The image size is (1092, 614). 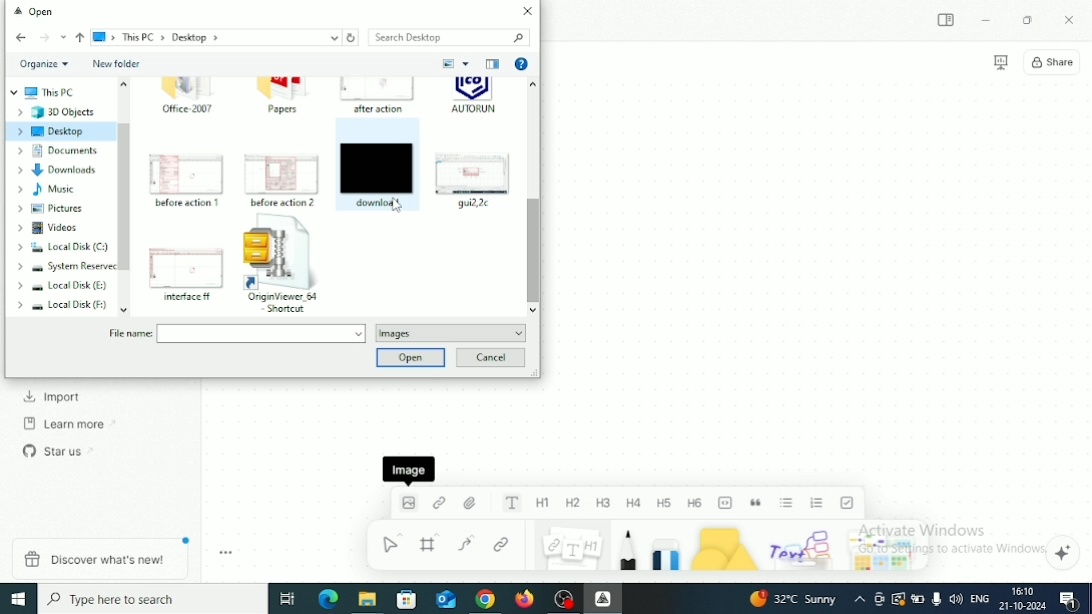 What do you see at coordinates (726, 503) in the screenshot?
I see `Code block` at bounding box center [726, 503].